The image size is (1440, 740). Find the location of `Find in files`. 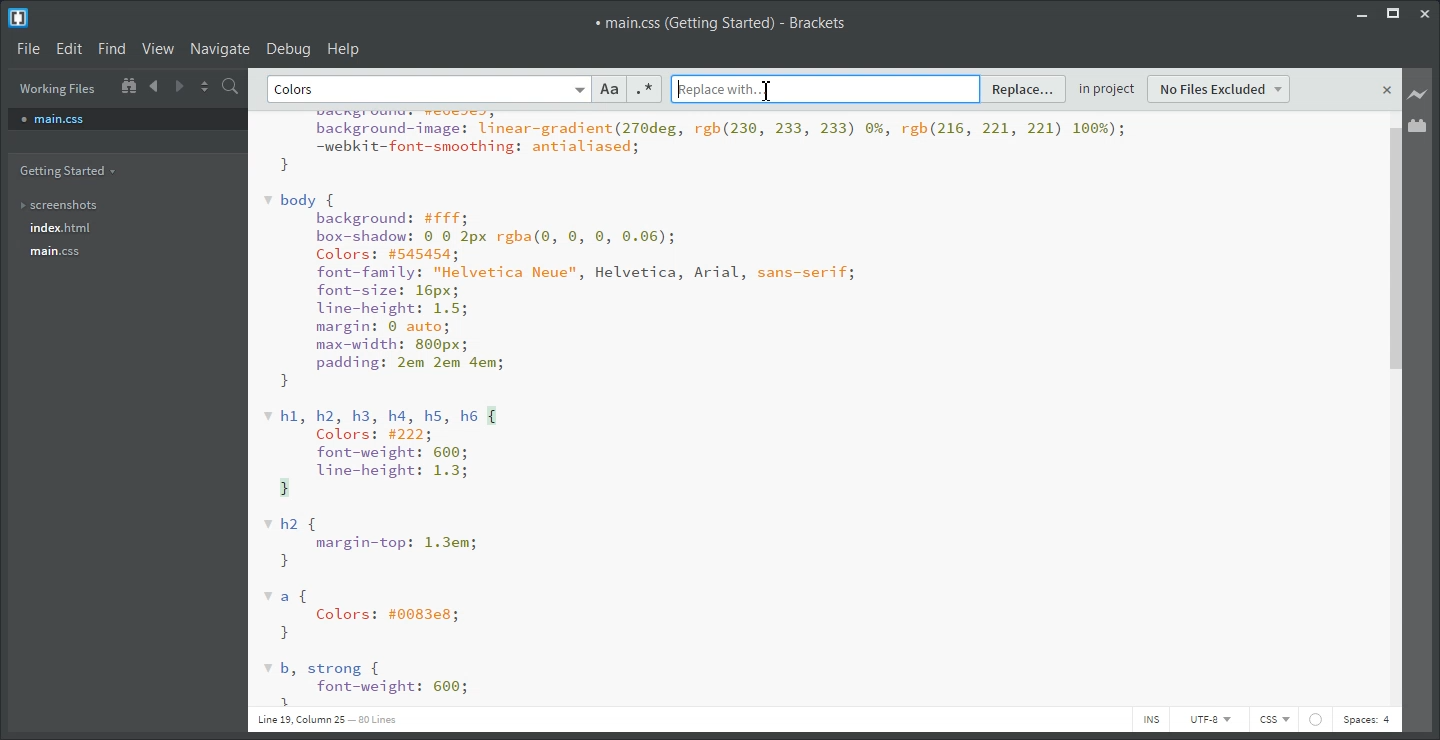

Find in files is located at coordinates (232, 86).